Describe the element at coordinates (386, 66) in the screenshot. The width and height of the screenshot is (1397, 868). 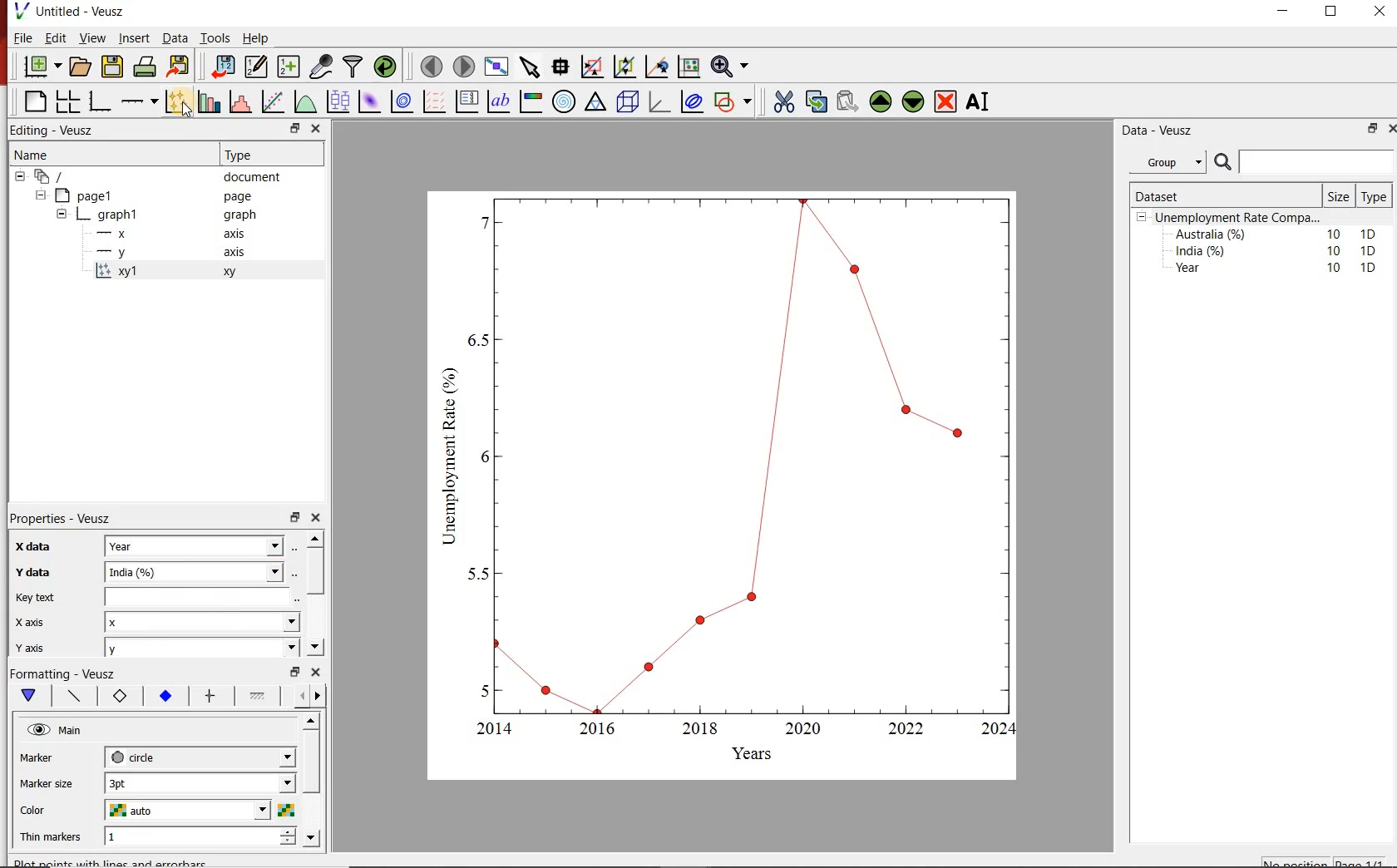
I see `reload datasets` at that location.